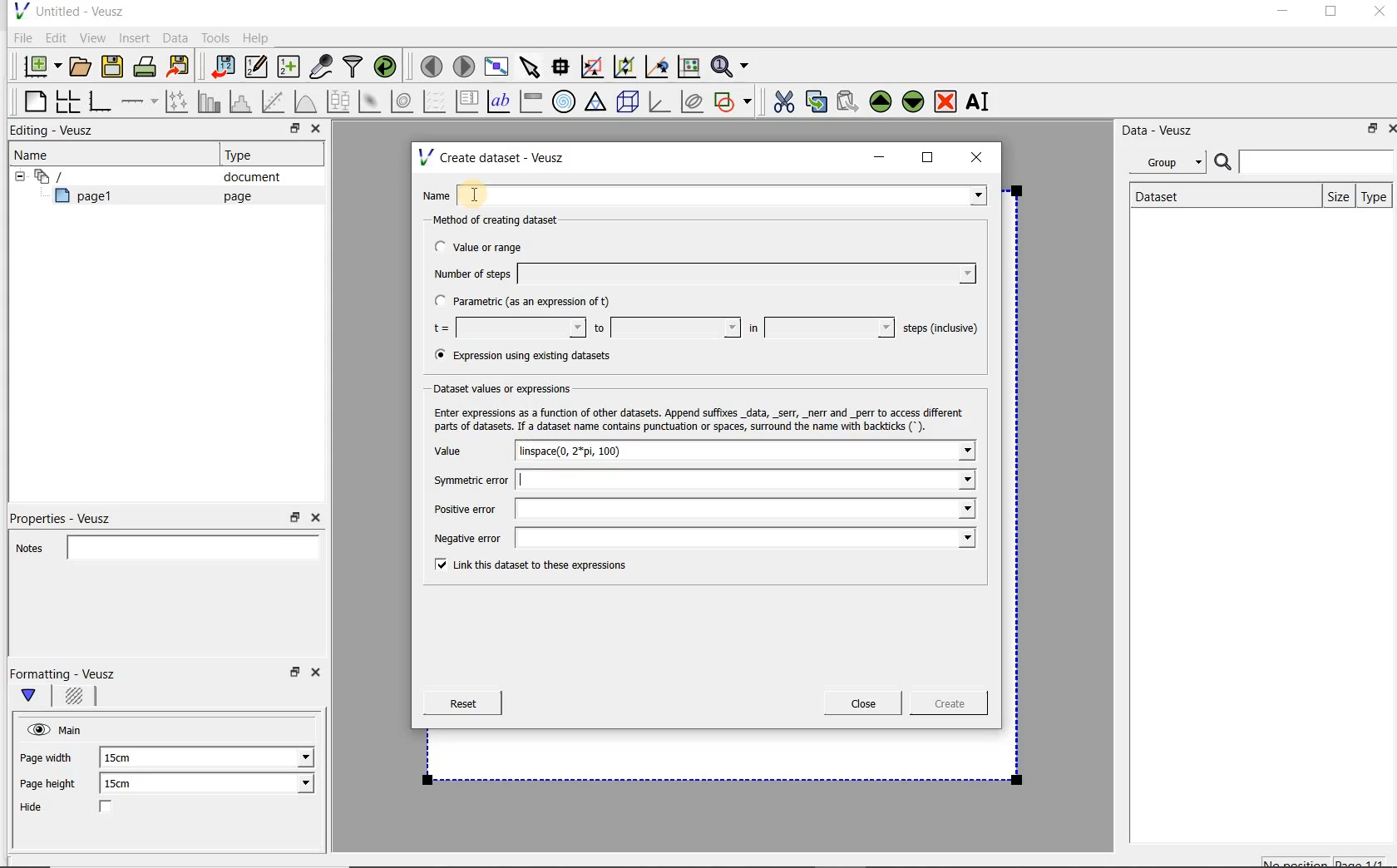  Describe the element at coordinates (92, 36) in the screenshot. I see `View` at that location.